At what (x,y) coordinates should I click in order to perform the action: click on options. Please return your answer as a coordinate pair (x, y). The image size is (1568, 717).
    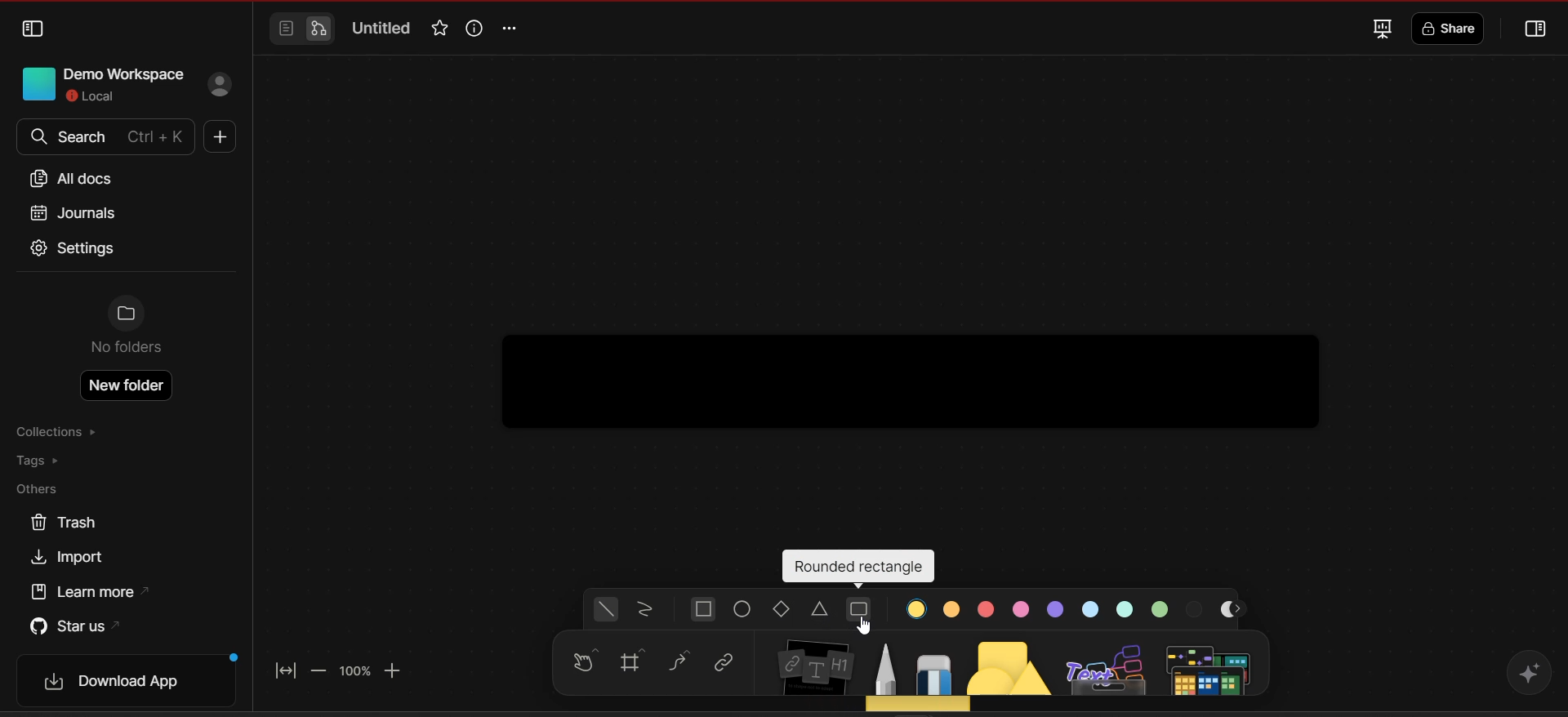
    Looking at the image, I should click on (514, 29).